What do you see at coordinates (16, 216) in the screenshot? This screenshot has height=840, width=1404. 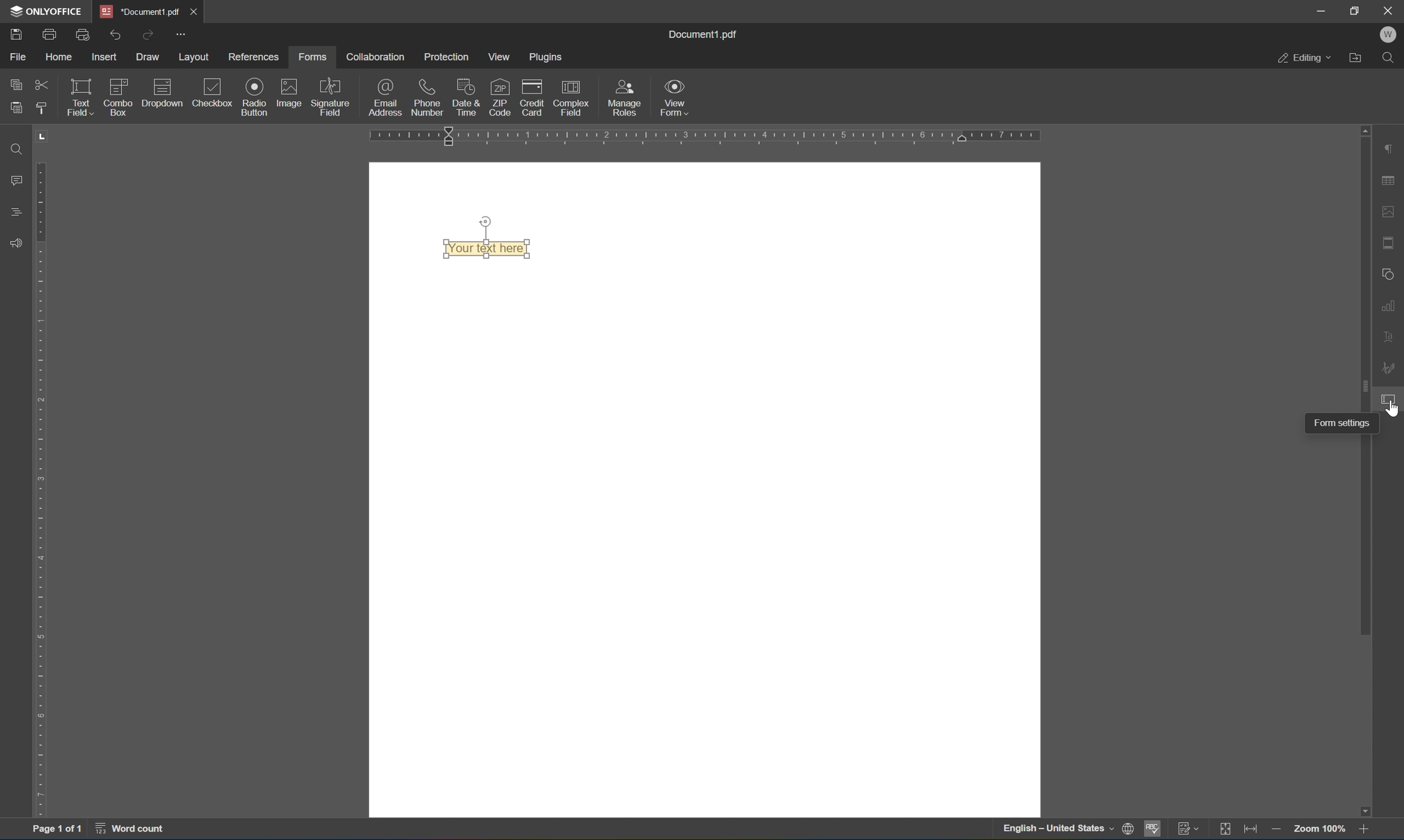 I see `headings` at bounding box center [16, 216].